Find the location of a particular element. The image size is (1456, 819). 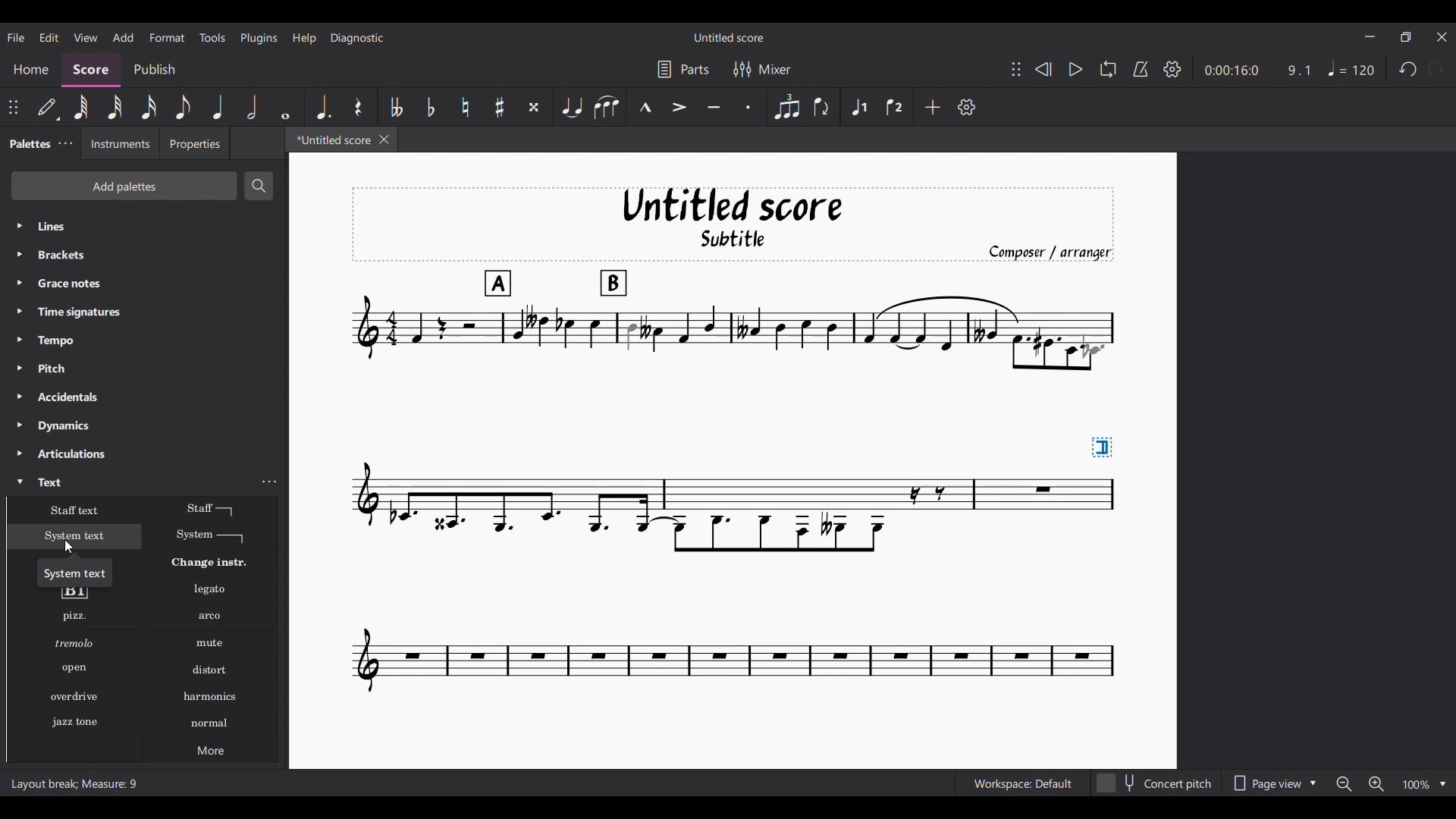

Add menu is located at coordinates (124, 37).